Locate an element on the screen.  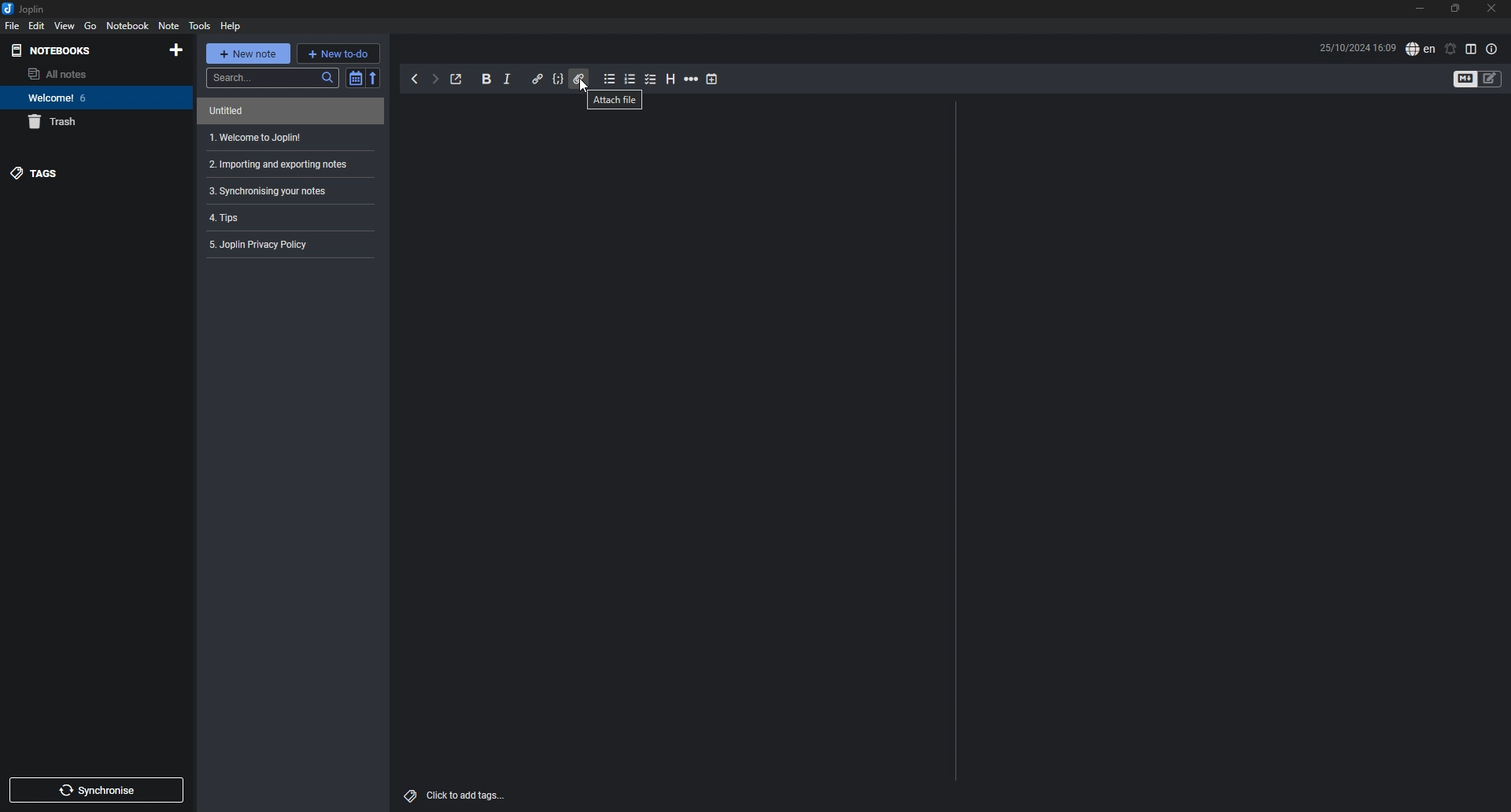
attach file is located at coordinates (578, 78).